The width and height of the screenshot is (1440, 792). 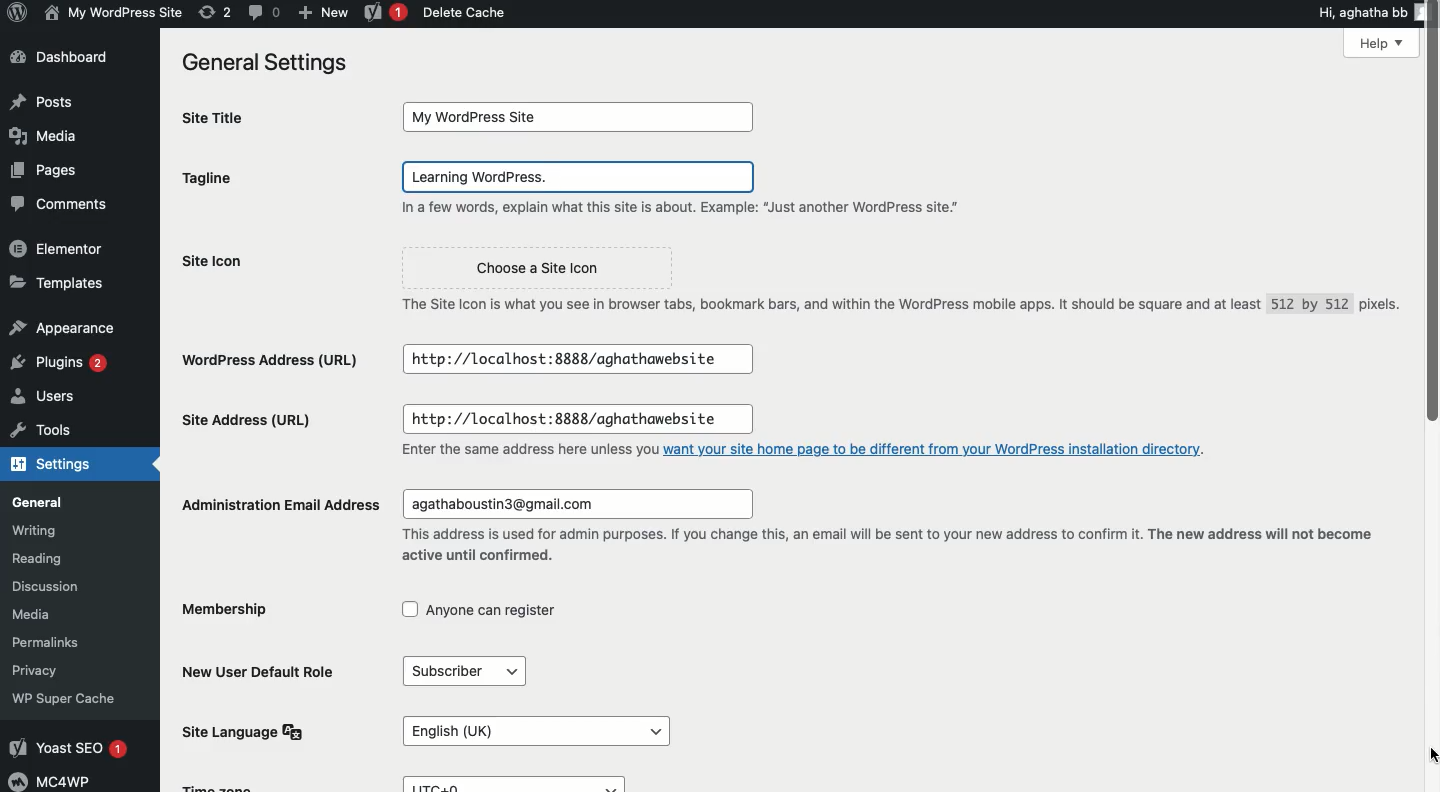 What do you see at coordinates (939, 448) in the screenshot?
I see `want your site home page to be different from your WordPress installation directory.` at bounding box center [939, 448].